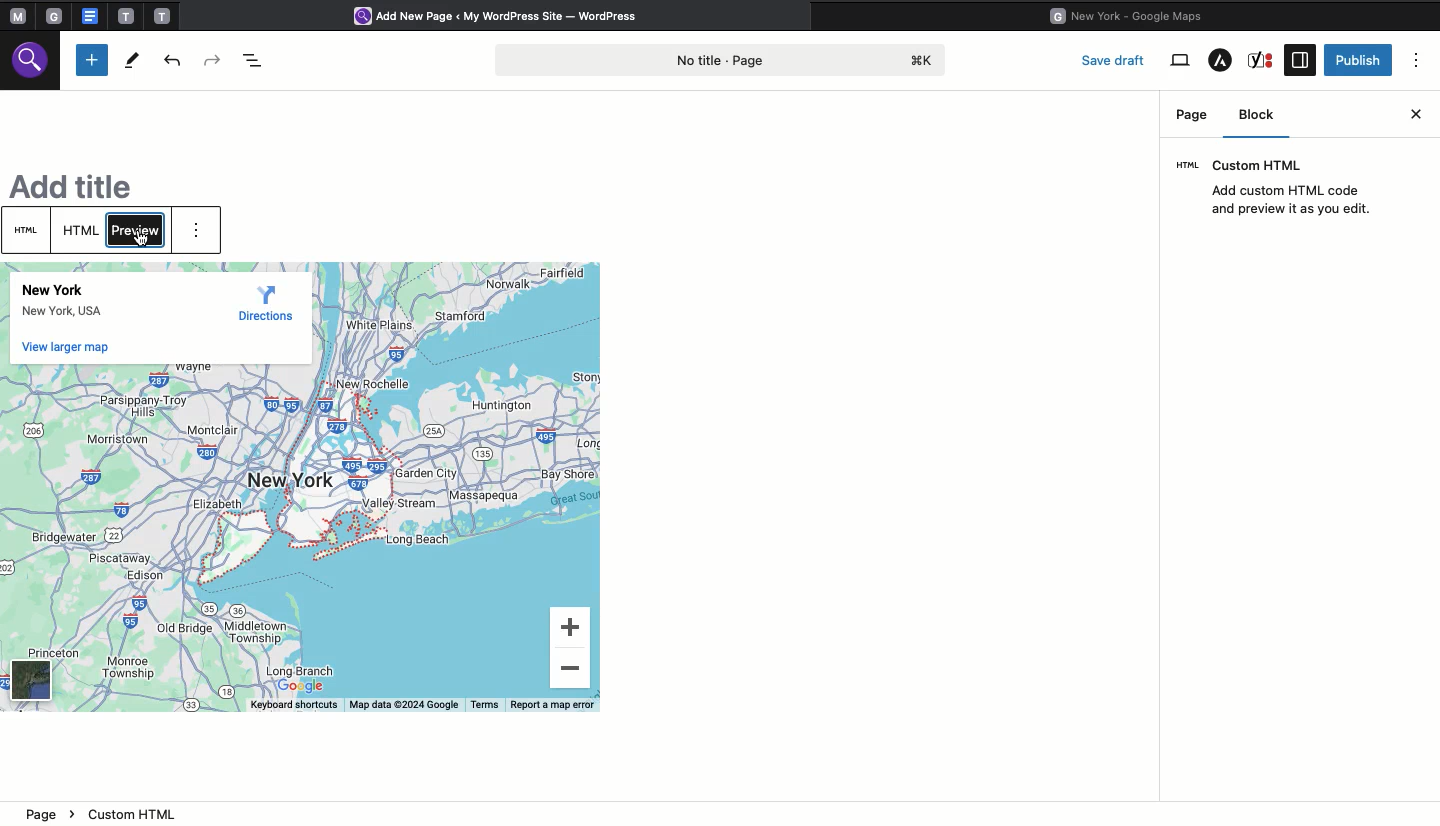 Image resolution: width=1440 pixels, height=826 pixels. What do you see at coordinates (1220, 62) in the screenshot?
I see `Astra` at bounding box center [1220, 62].